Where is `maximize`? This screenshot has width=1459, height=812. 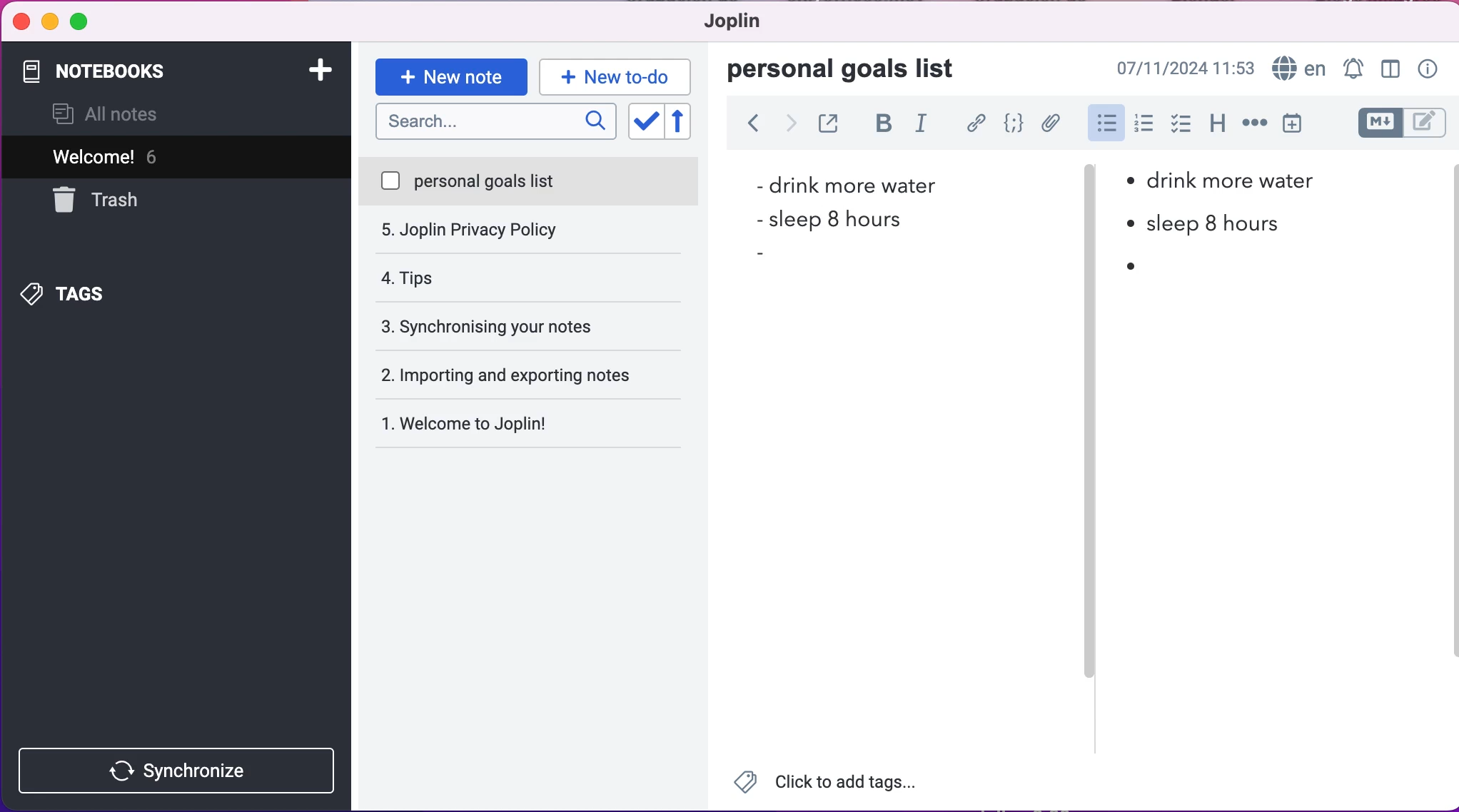 maximize is located at coordinates (85, 24).